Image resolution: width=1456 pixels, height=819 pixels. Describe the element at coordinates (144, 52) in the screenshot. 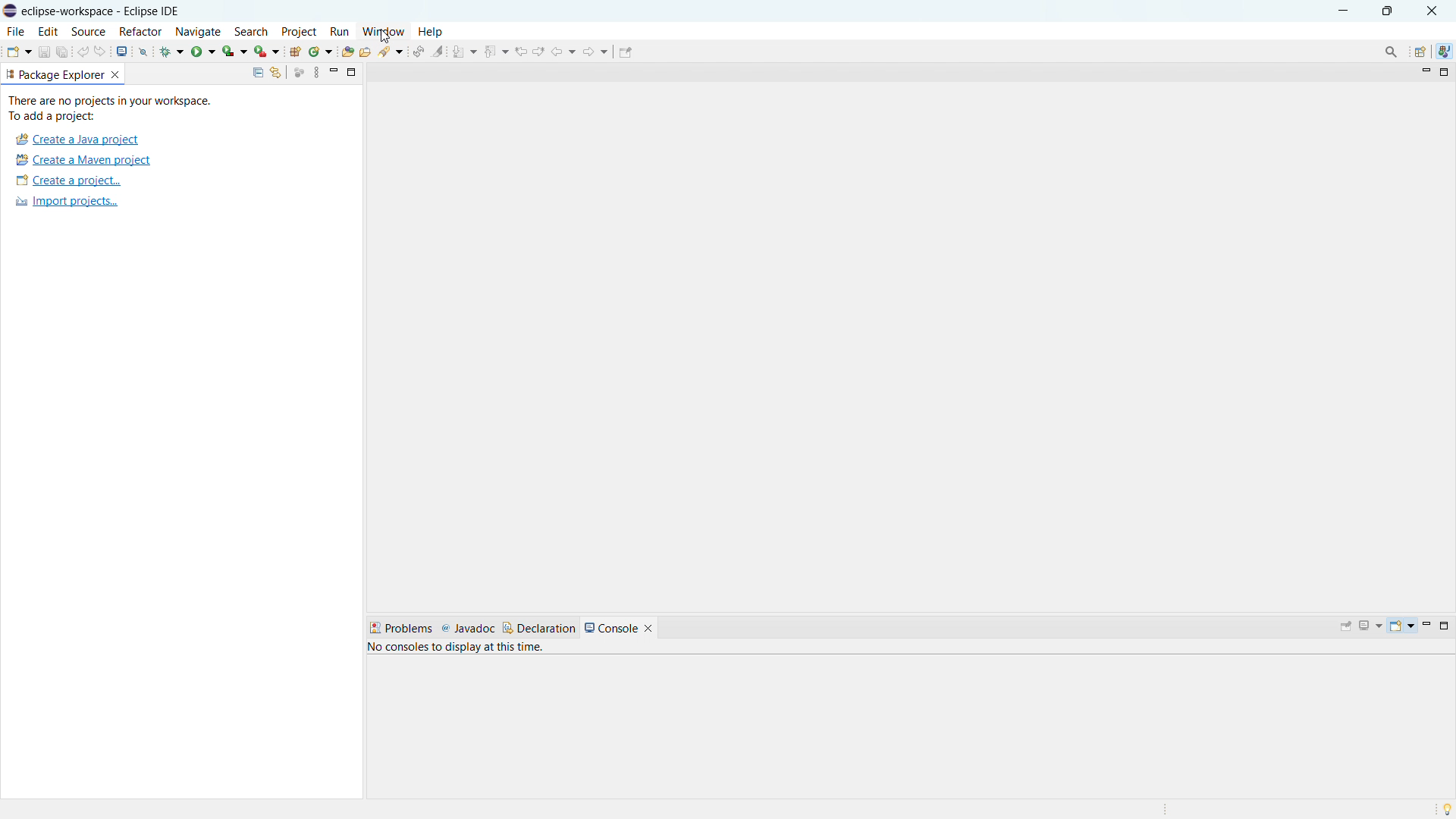

I see `skip all breakpoints` at that location.